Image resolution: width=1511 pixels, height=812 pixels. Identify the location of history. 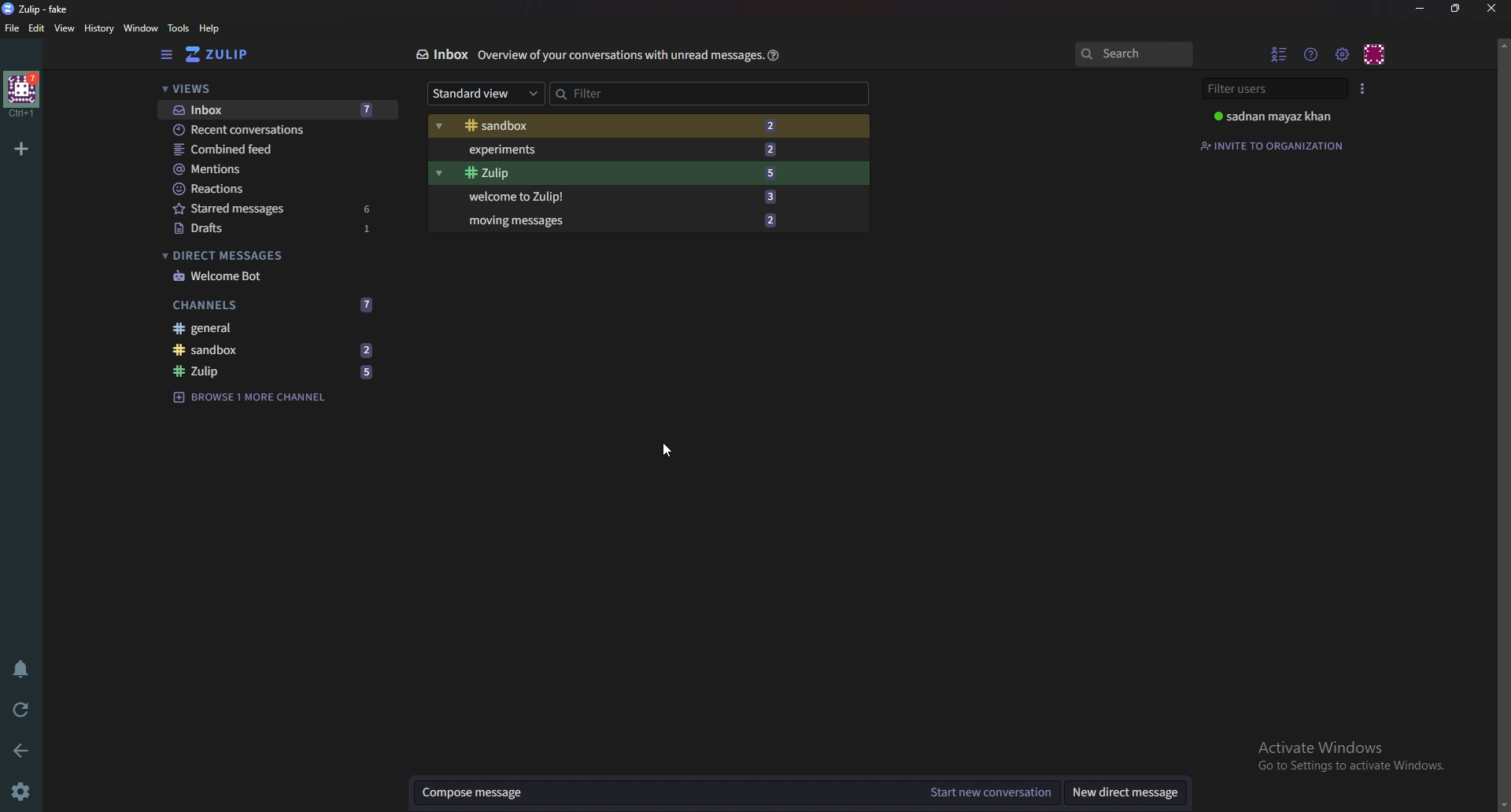
(100, 28).